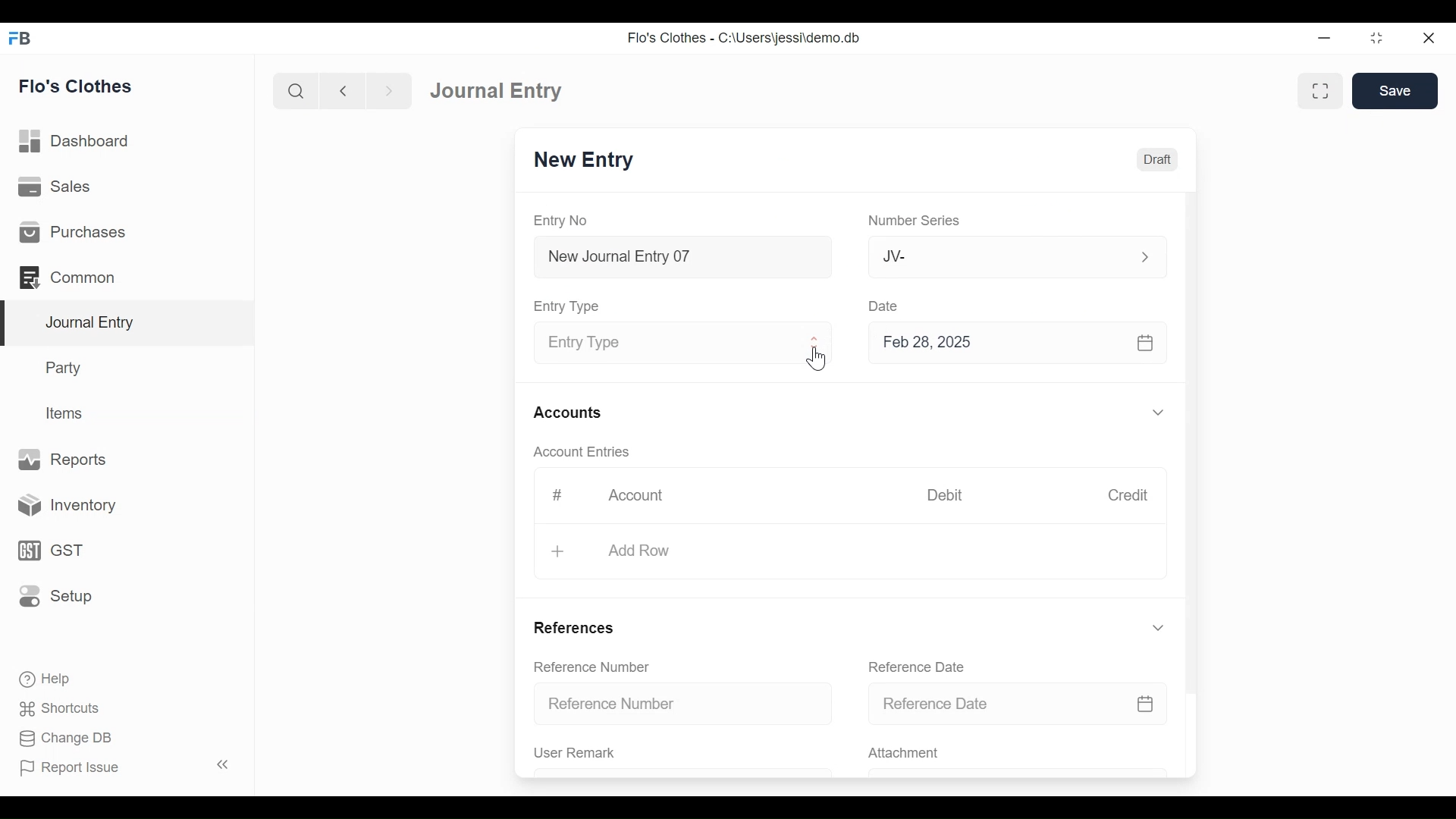  I want to click on Common, so click(70, 277).